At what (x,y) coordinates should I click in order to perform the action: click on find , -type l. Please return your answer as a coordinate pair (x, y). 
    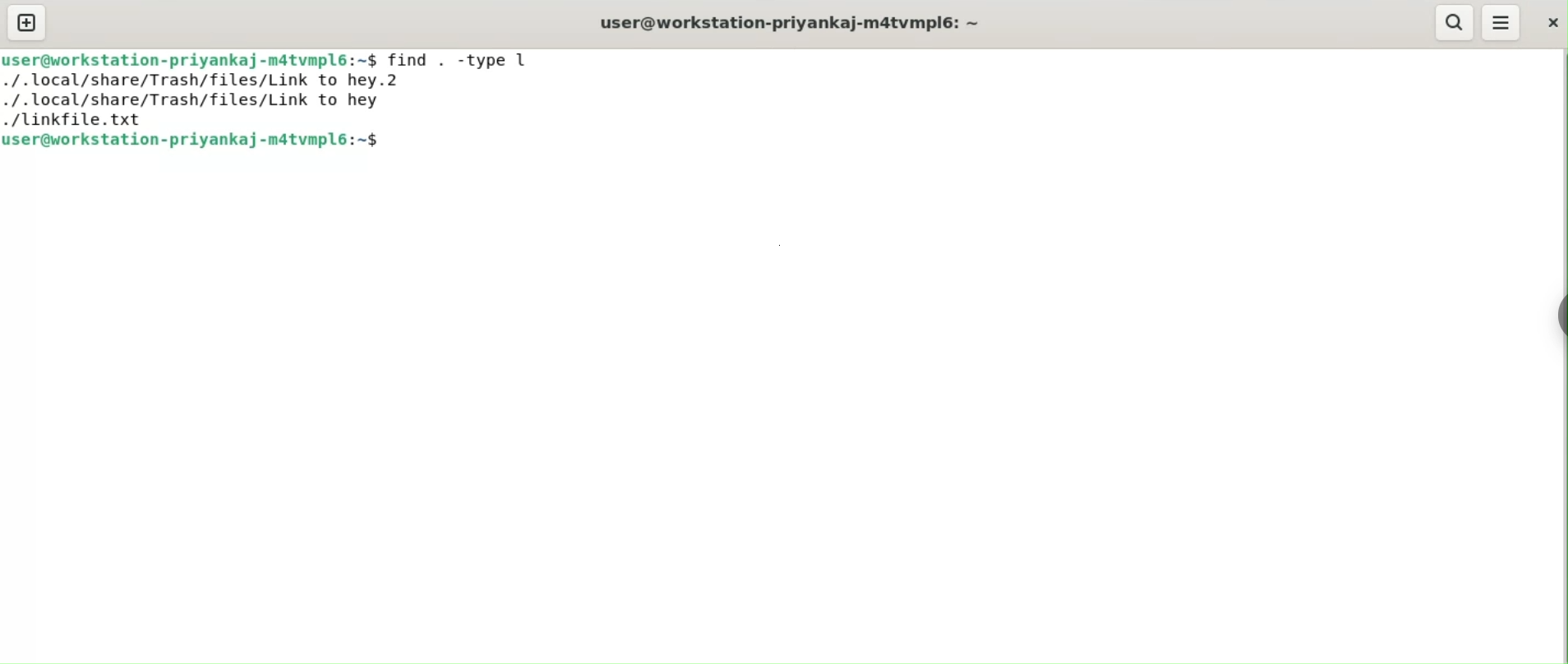
    Looking at the image, I should click on (463, 61).